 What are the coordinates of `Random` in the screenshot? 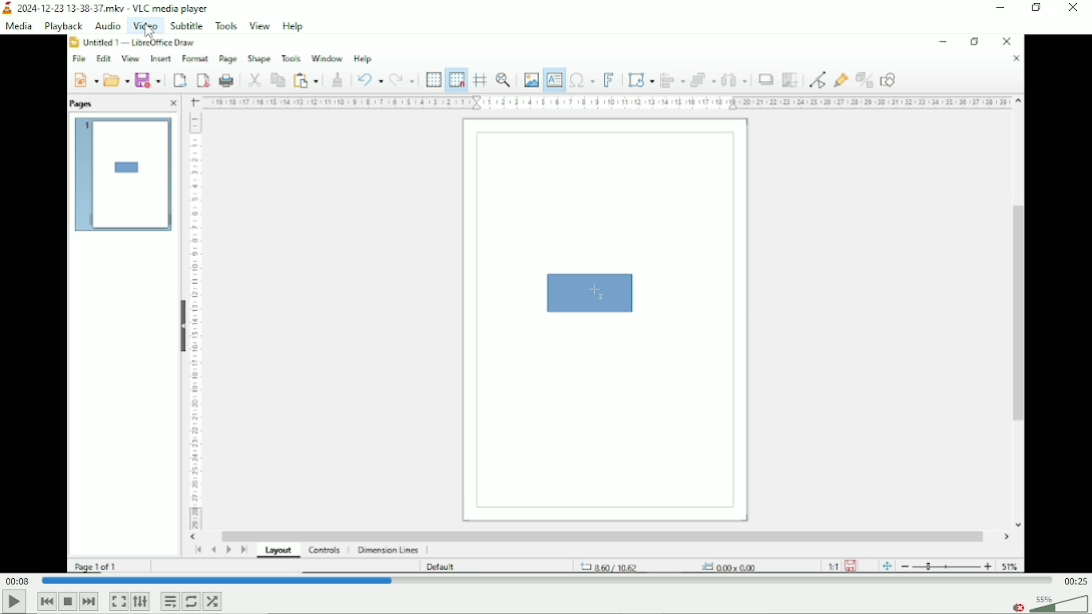 It's located at (213, 601).